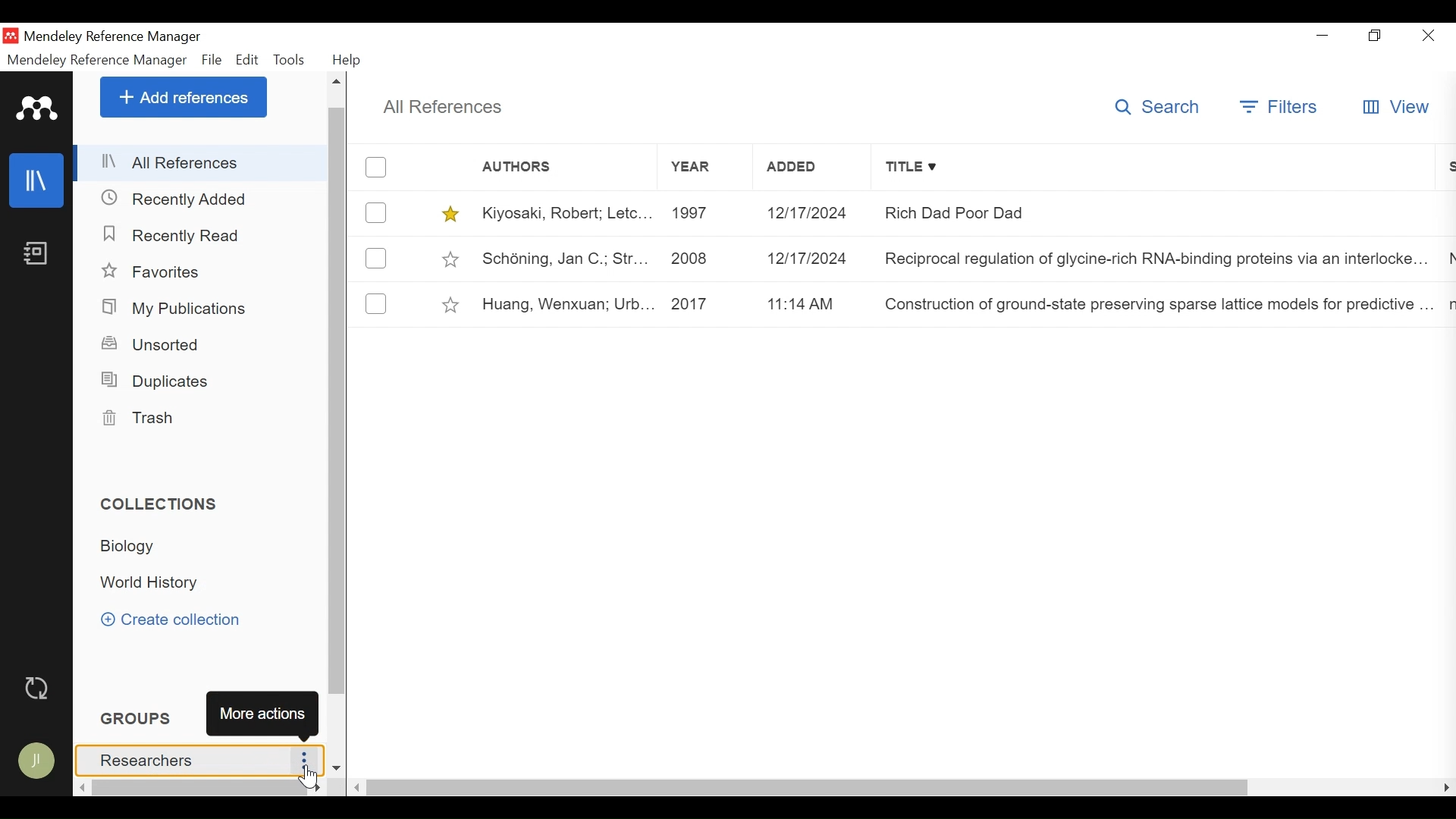 The image size is (1456, 819). I want to click on Trash, so click(143, 419).